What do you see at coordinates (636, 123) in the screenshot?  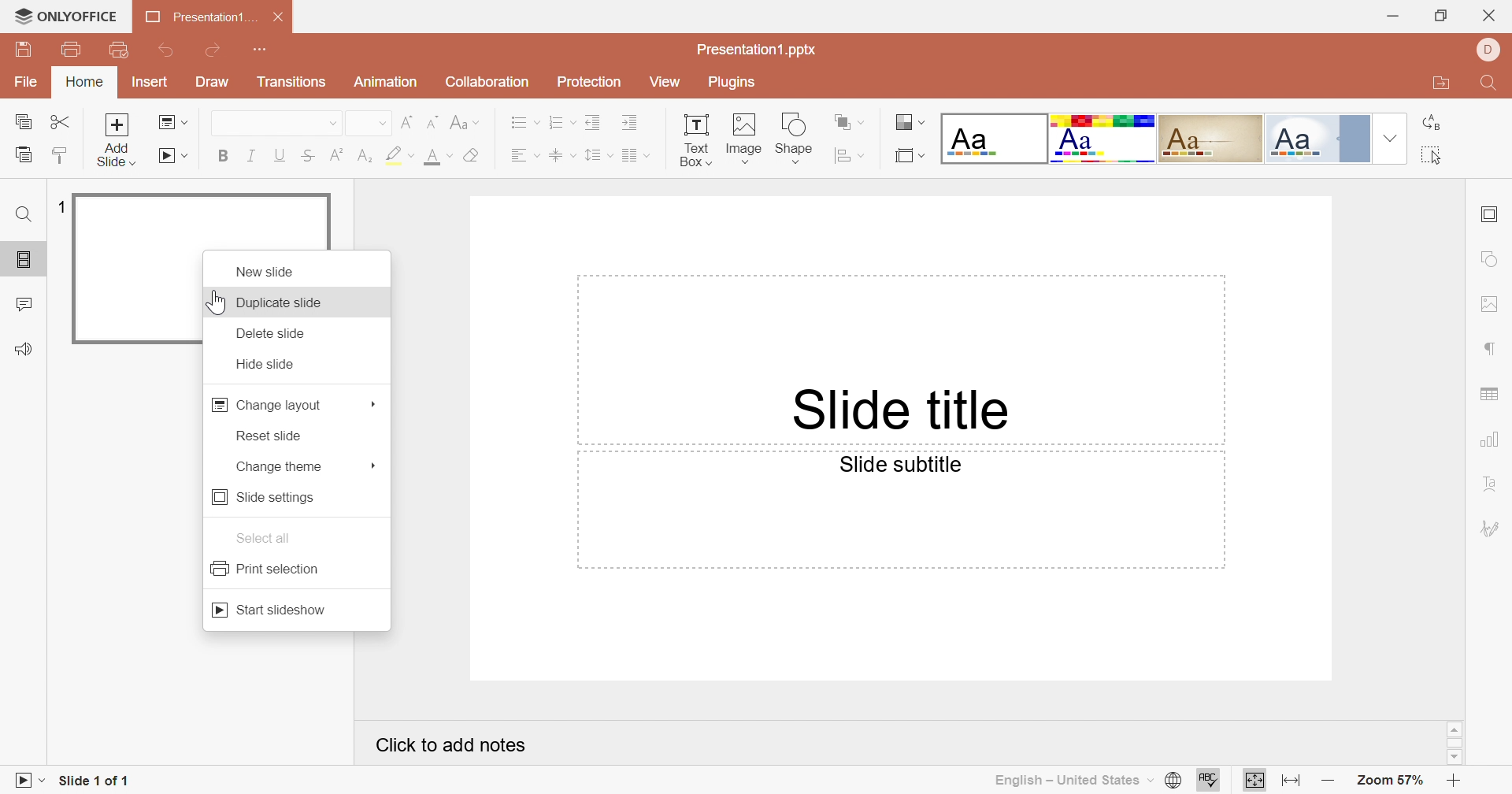 I see `Increase indent` at bounding box center [636, 123].